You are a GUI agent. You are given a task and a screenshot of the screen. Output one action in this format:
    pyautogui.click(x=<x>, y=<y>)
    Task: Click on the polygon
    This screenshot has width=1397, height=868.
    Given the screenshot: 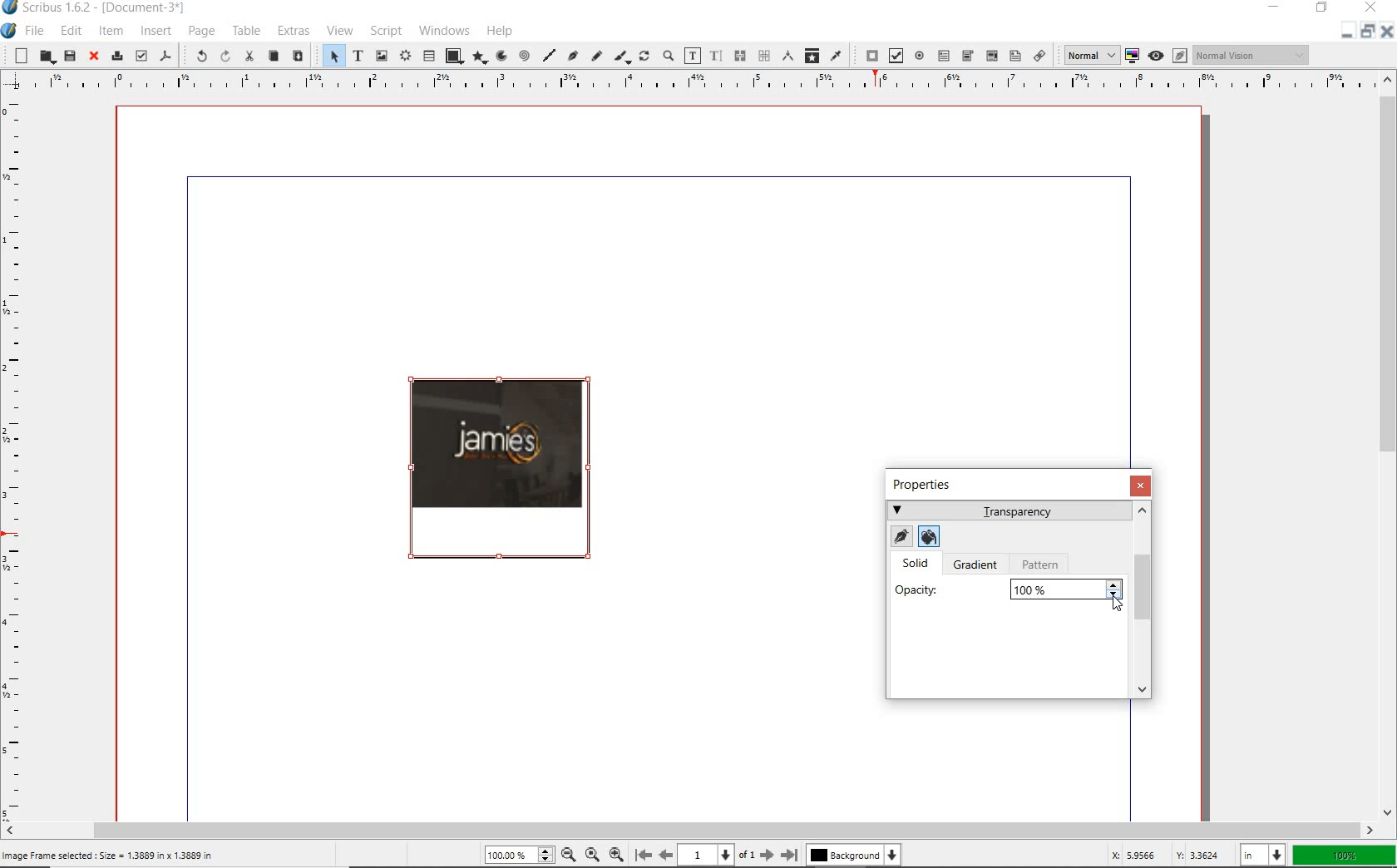 What is the action you would take?
    pyautogui.click(x=480, y=57)
    